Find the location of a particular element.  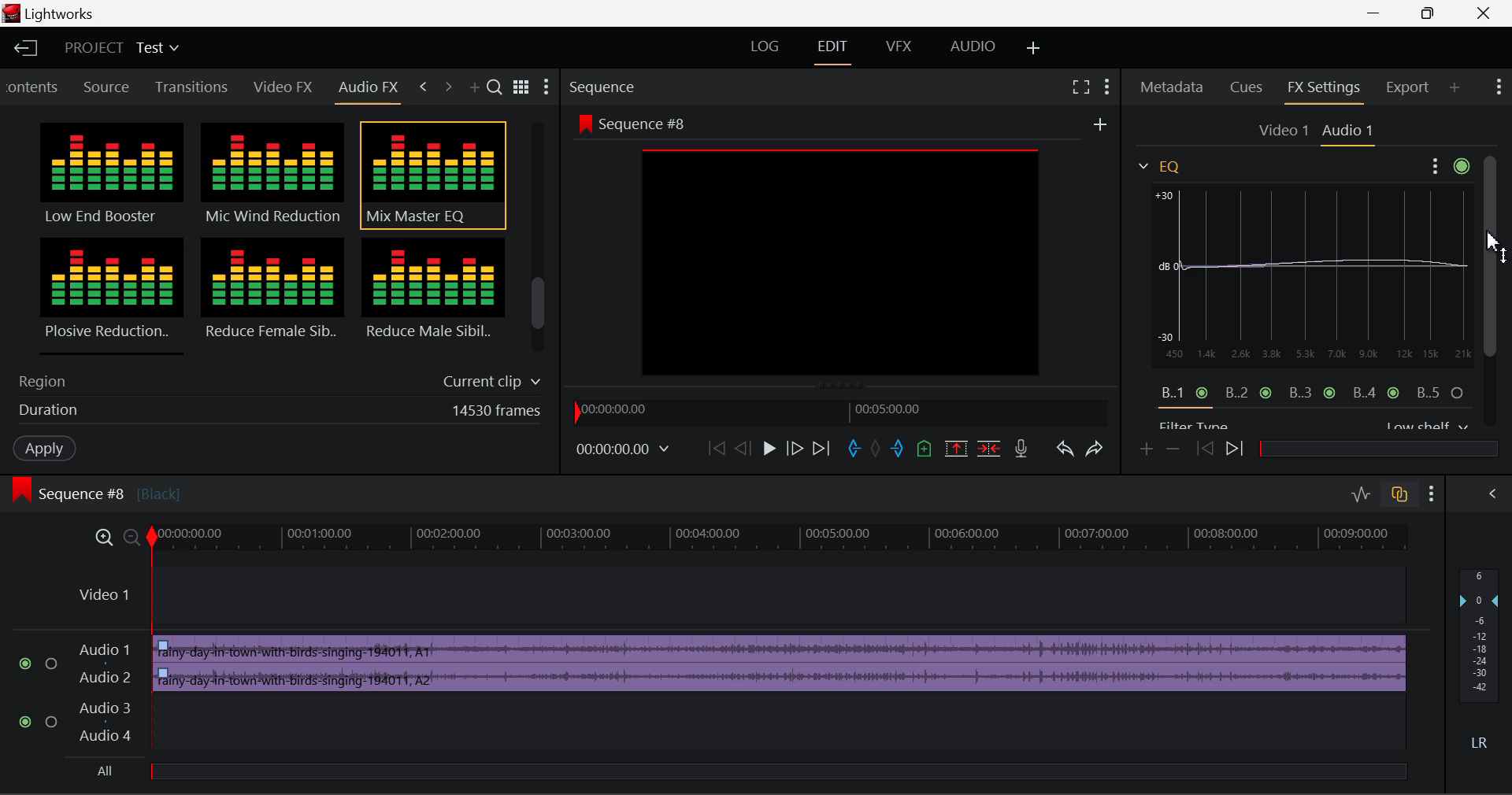

Timeline Zoom Out is located at coordinates (132, 539).